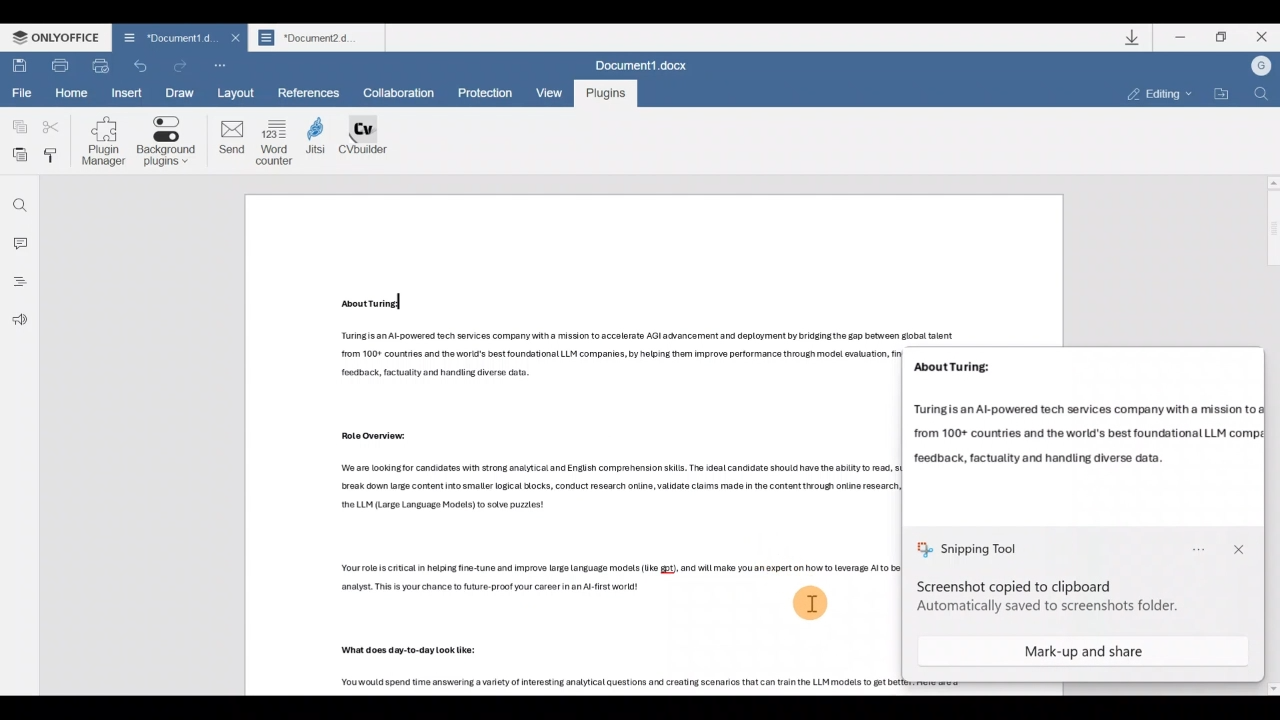 The height and width of the screenshot is (720, 1280). I want to click on Save, so click(19, 64).